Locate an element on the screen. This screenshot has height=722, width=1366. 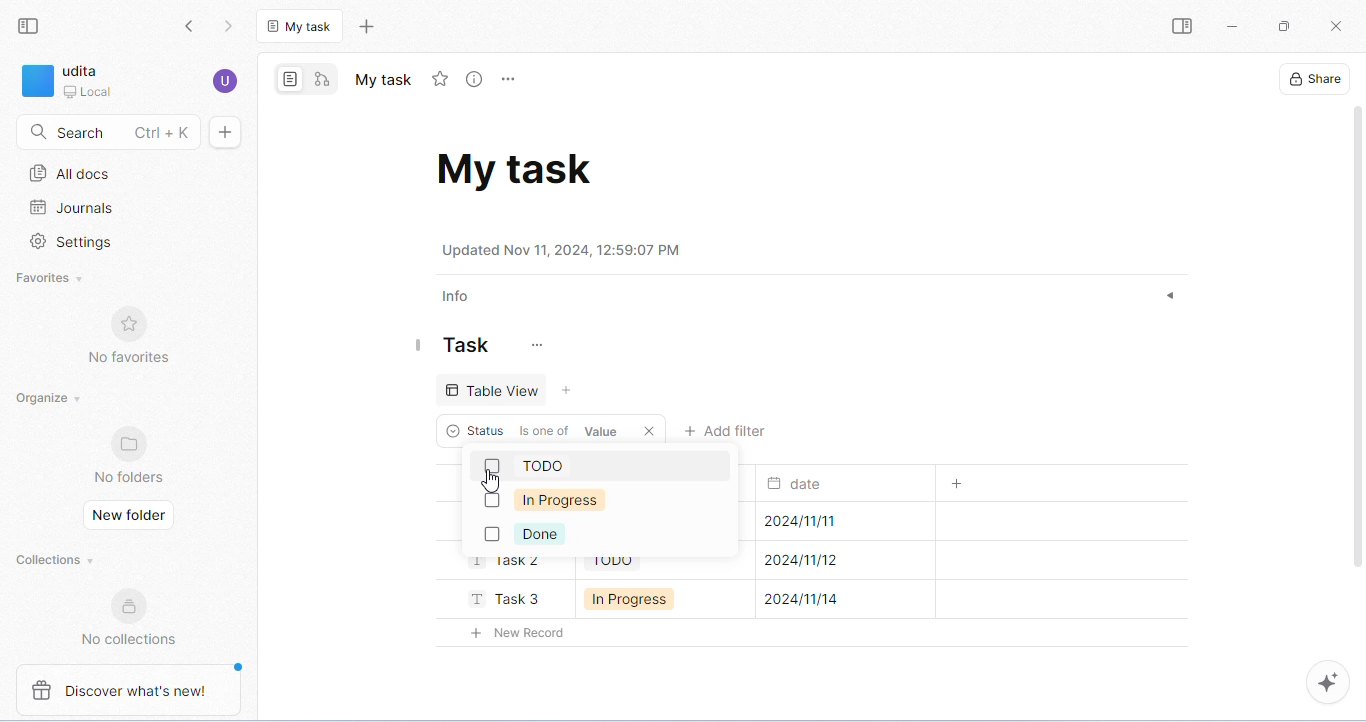
no folders is located at coordinates (130, 478).